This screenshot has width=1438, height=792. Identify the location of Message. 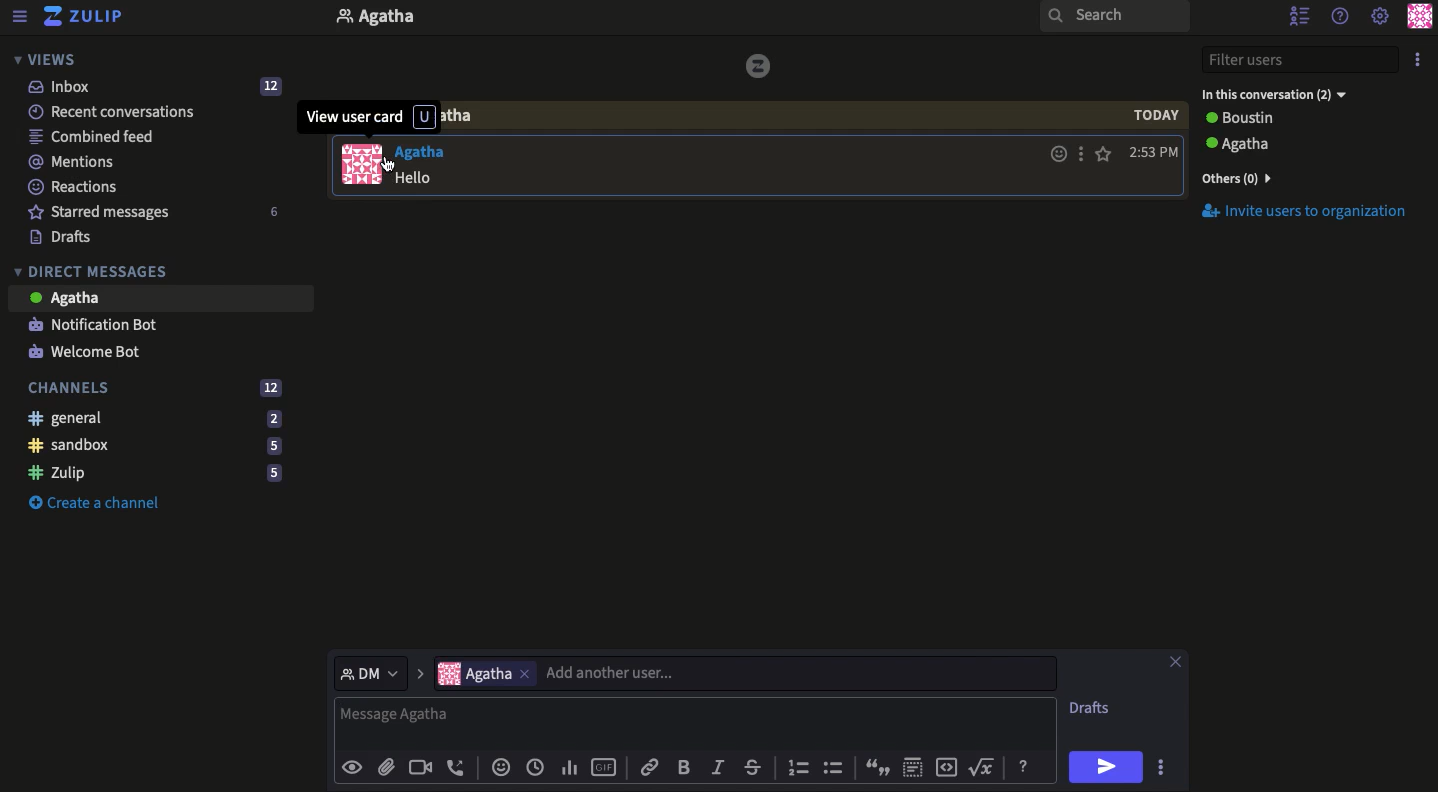
(161, 298).